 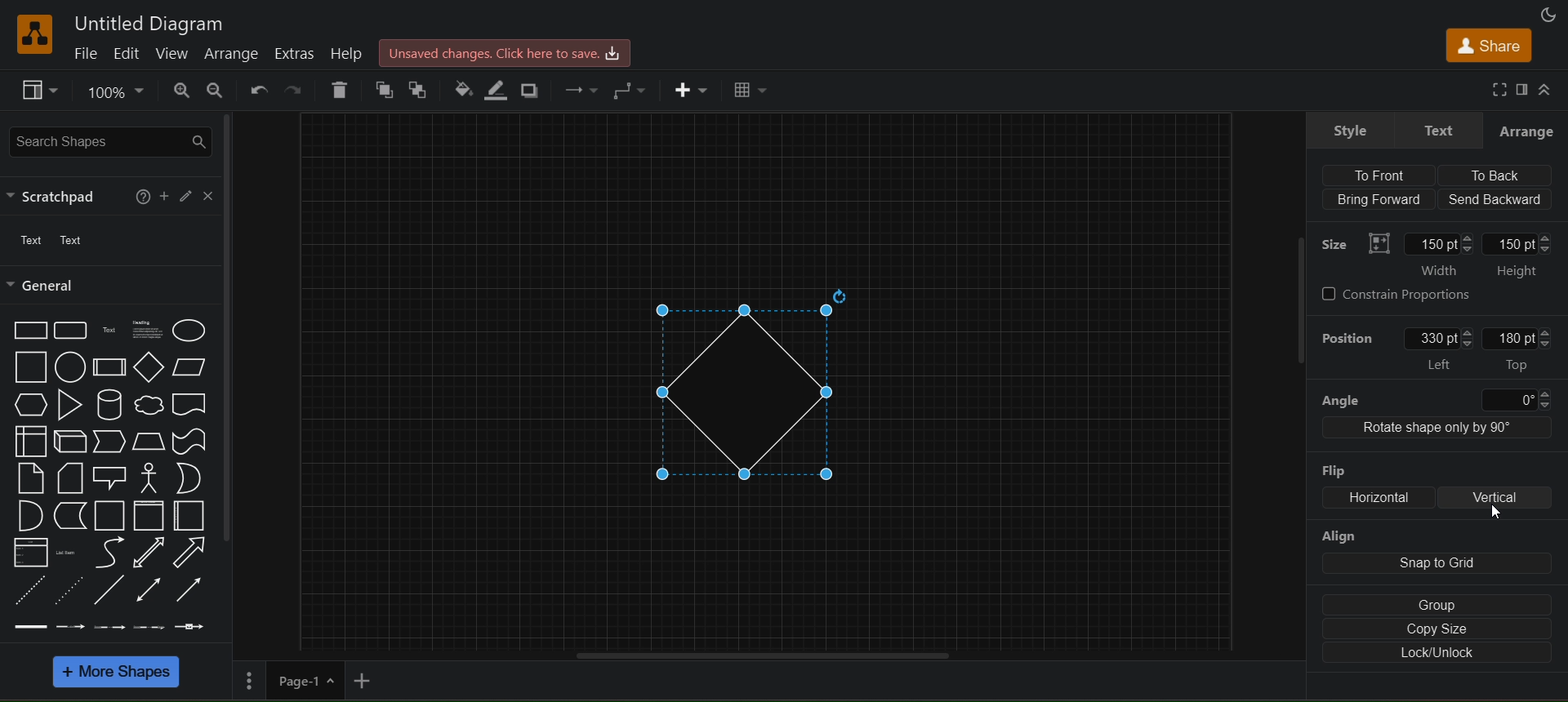 I want to click on page 1, so click(x=284, y=680).